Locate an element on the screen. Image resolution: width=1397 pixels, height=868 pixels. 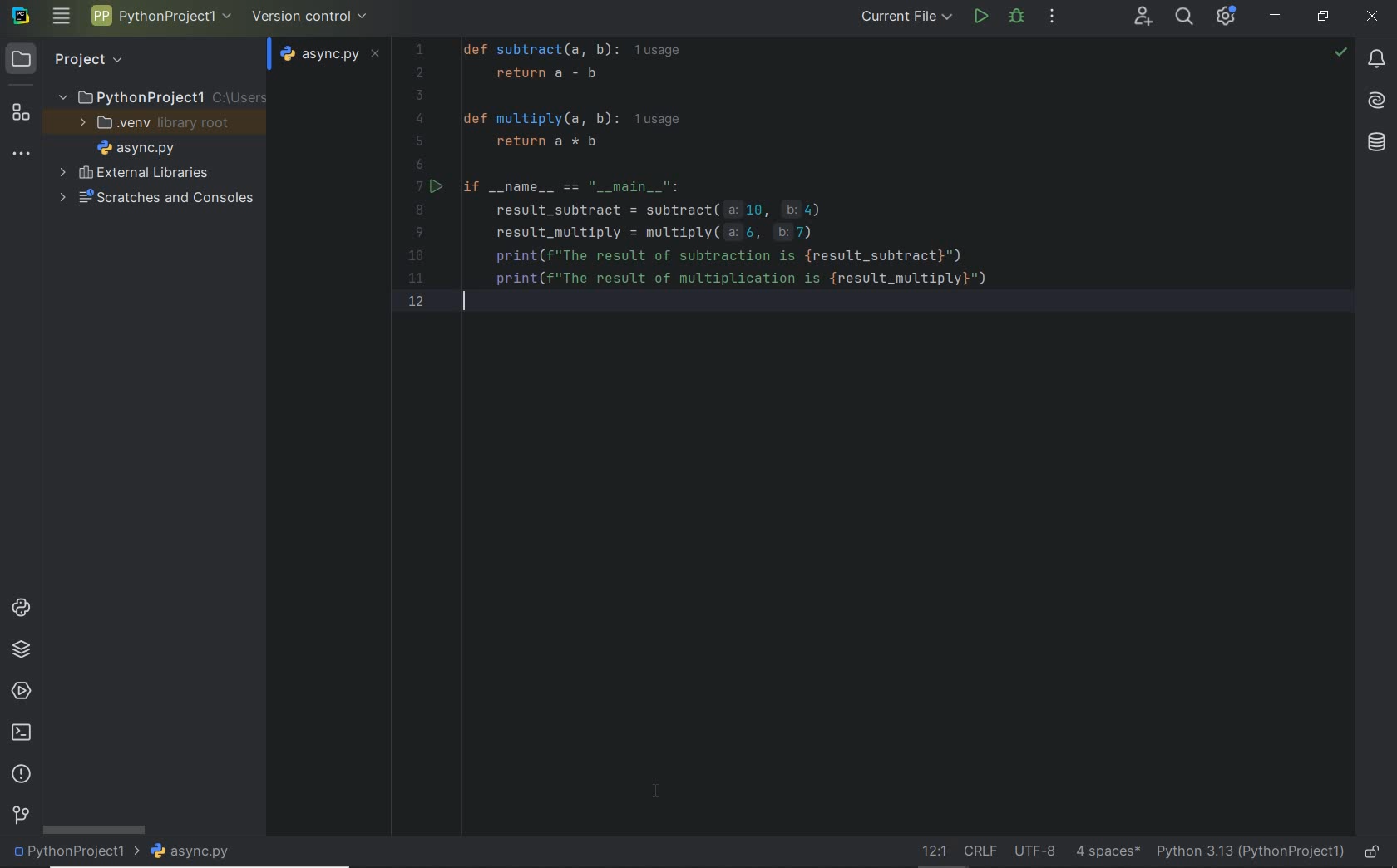
file encoding is located at coordinates (1035, 850).